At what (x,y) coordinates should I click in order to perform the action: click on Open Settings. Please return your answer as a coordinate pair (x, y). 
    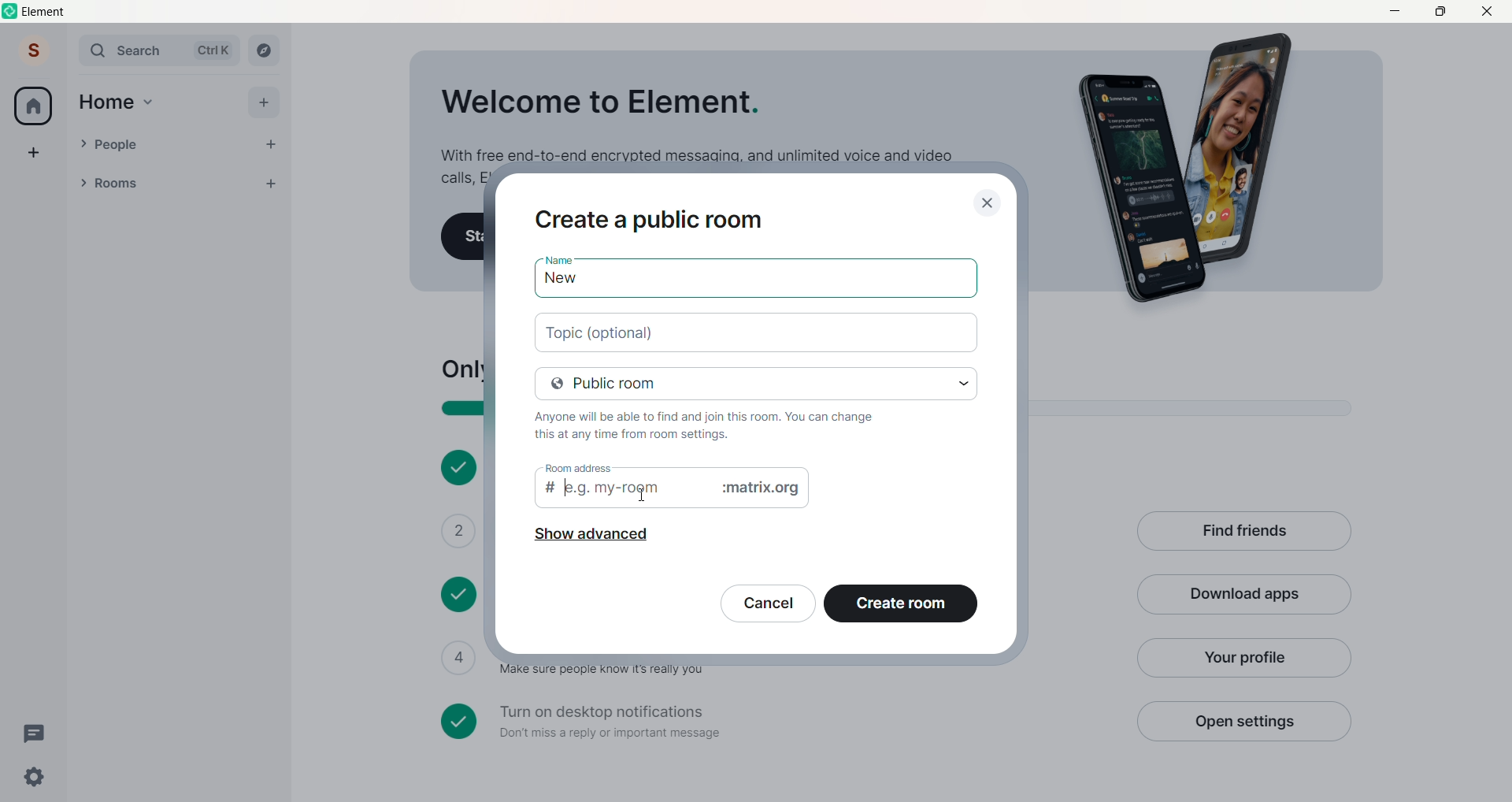
    Looking at the image, I should click on (1243, 721).